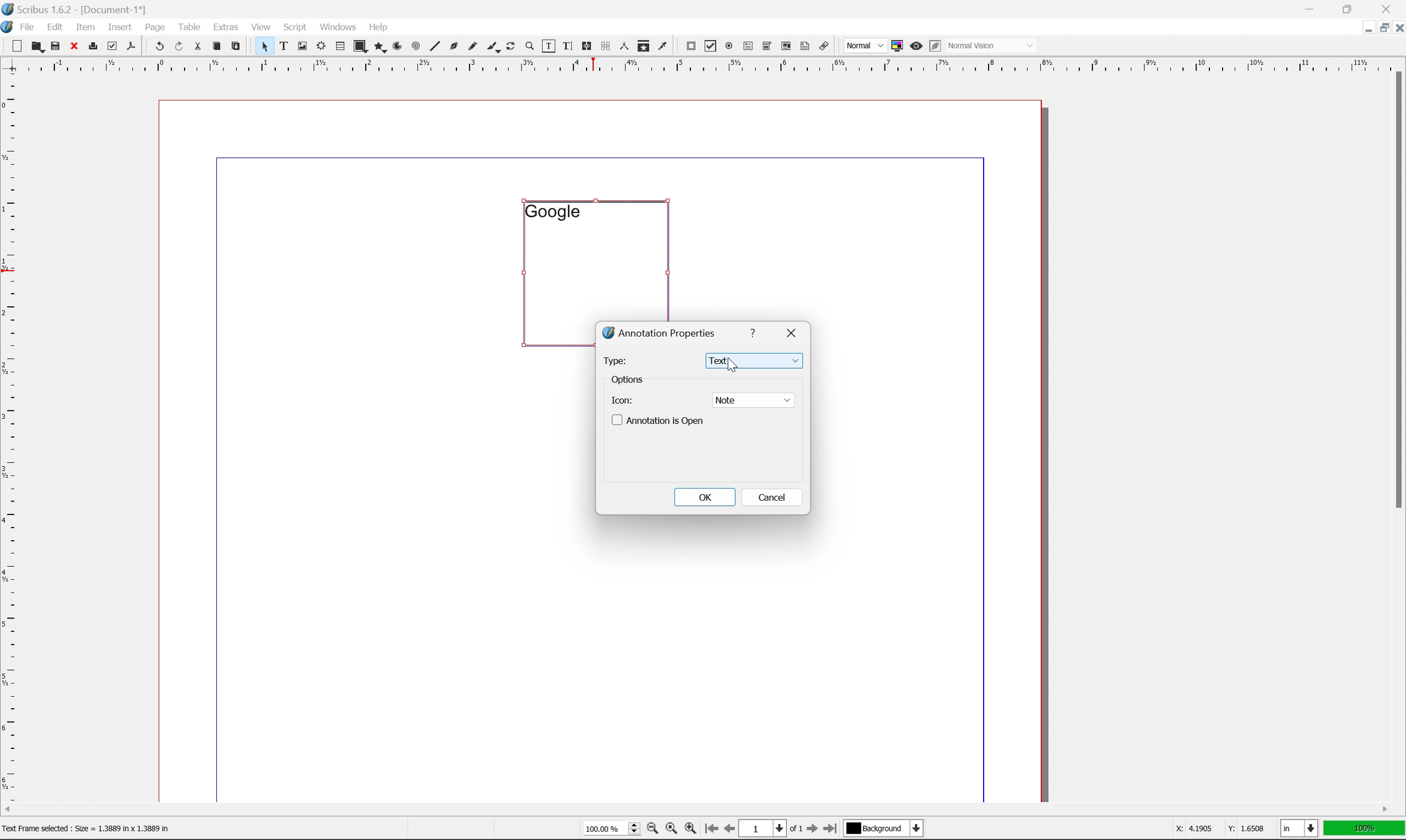 The height and width of the screenshot is (840, 1406). I want to click on scroll bar, so click(1396, 289).